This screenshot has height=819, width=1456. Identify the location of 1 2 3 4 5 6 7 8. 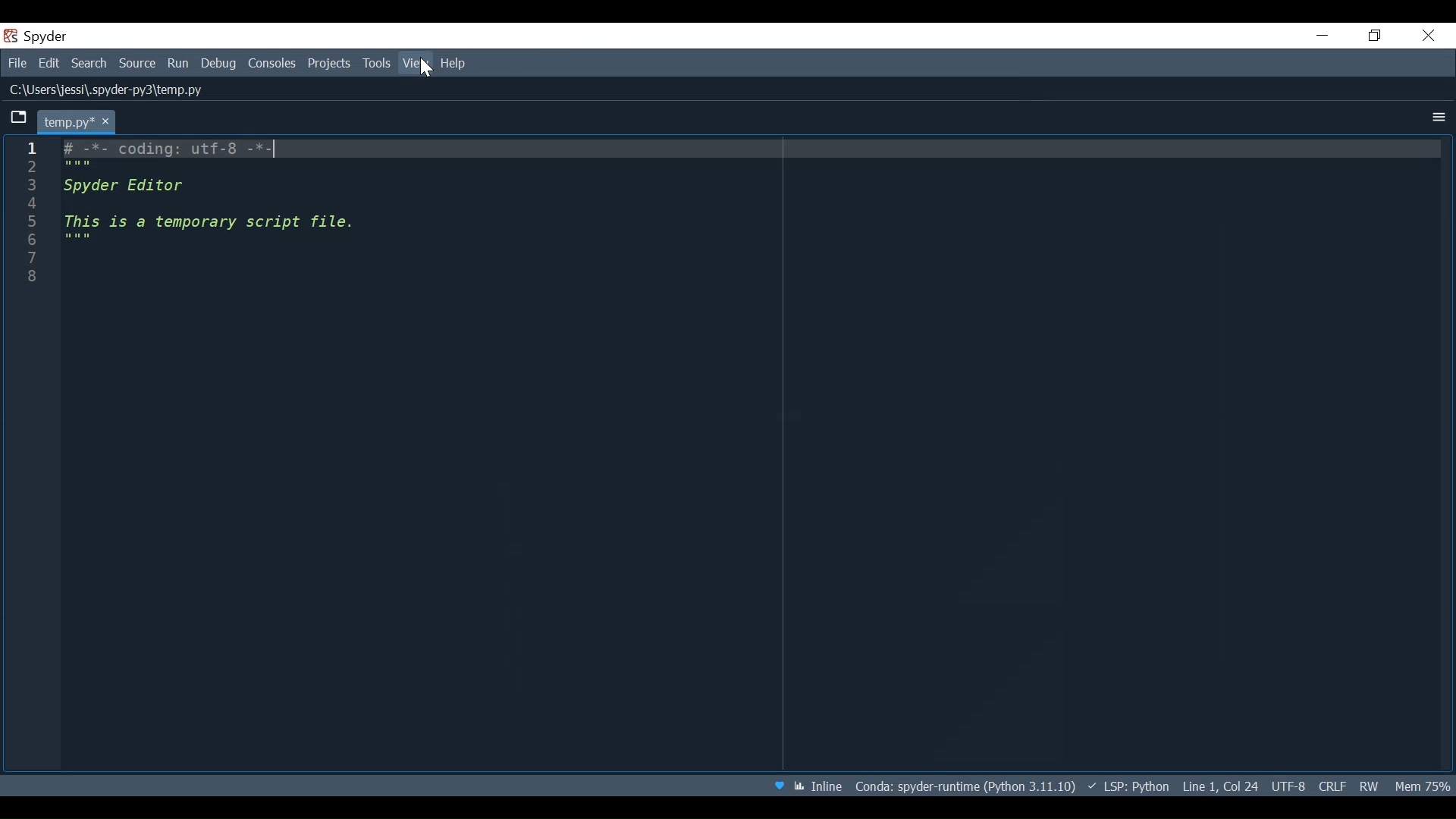
(32, 216).